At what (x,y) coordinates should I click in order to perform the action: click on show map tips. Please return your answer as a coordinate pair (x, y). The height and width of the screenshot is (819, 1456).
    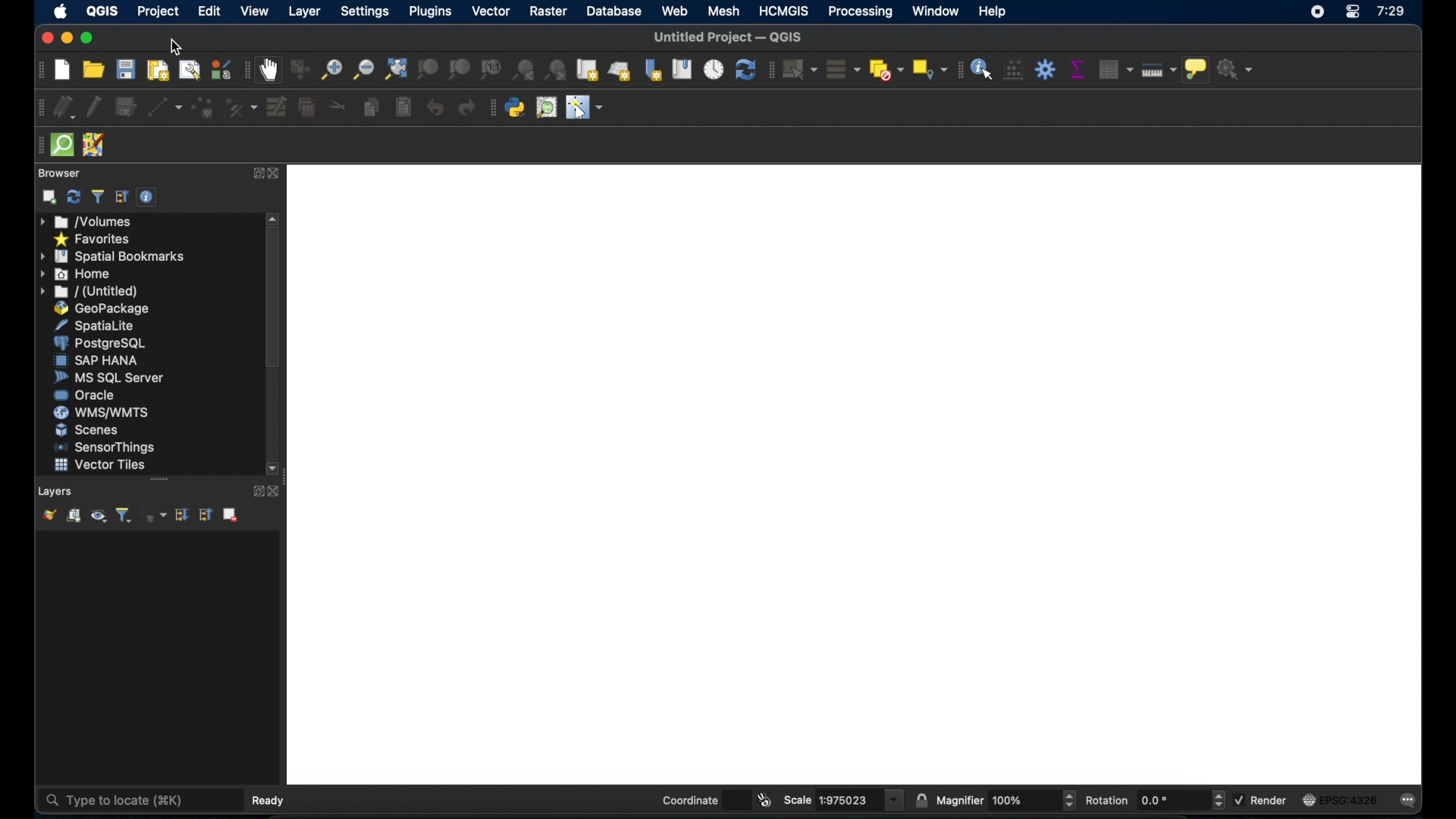
    Looking at the image, I should click on (1197, 70).